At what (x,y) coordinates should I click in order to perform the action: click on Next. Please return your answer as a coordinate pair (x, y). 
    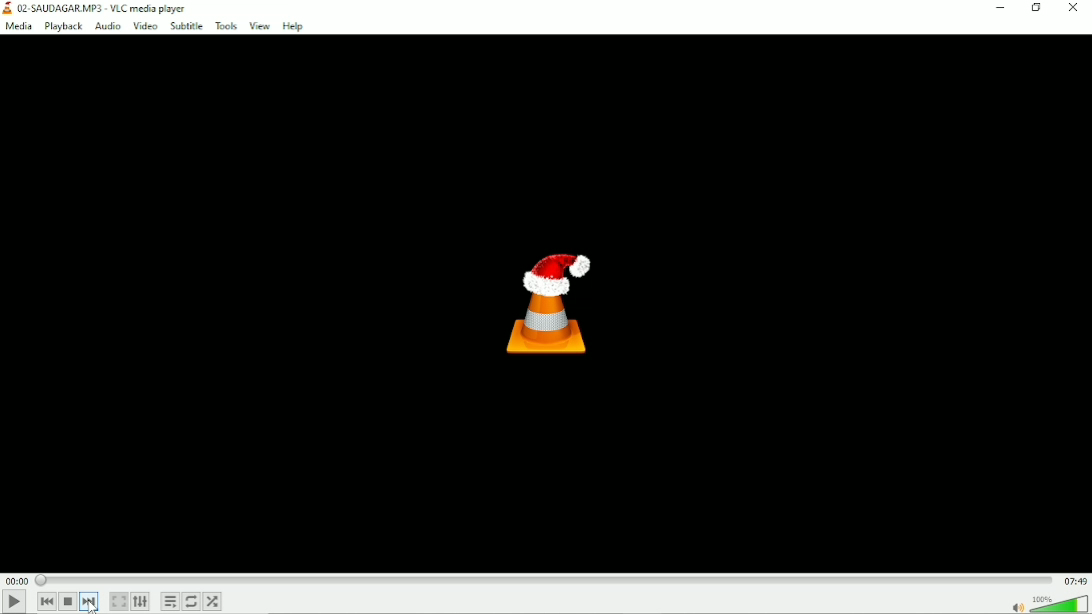
    Looking at the image, I should click on (90, 602).